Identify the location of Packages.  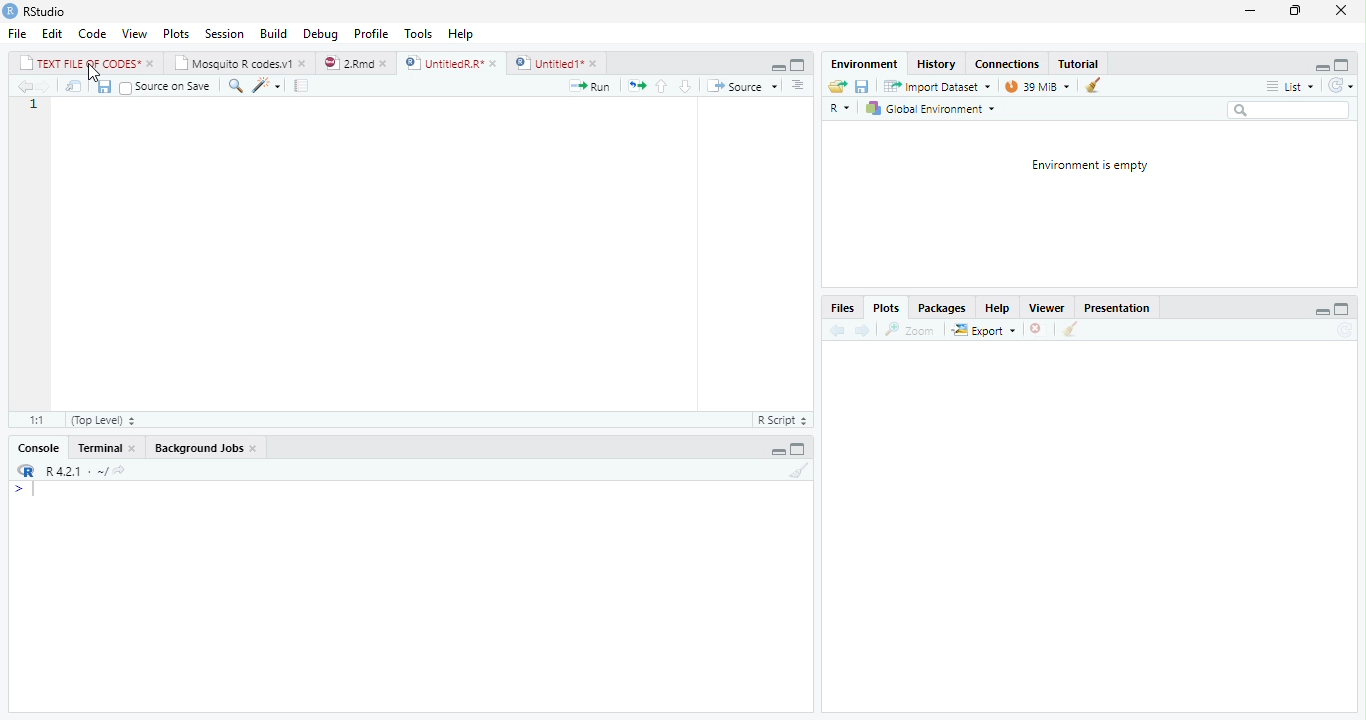
(942, 308).